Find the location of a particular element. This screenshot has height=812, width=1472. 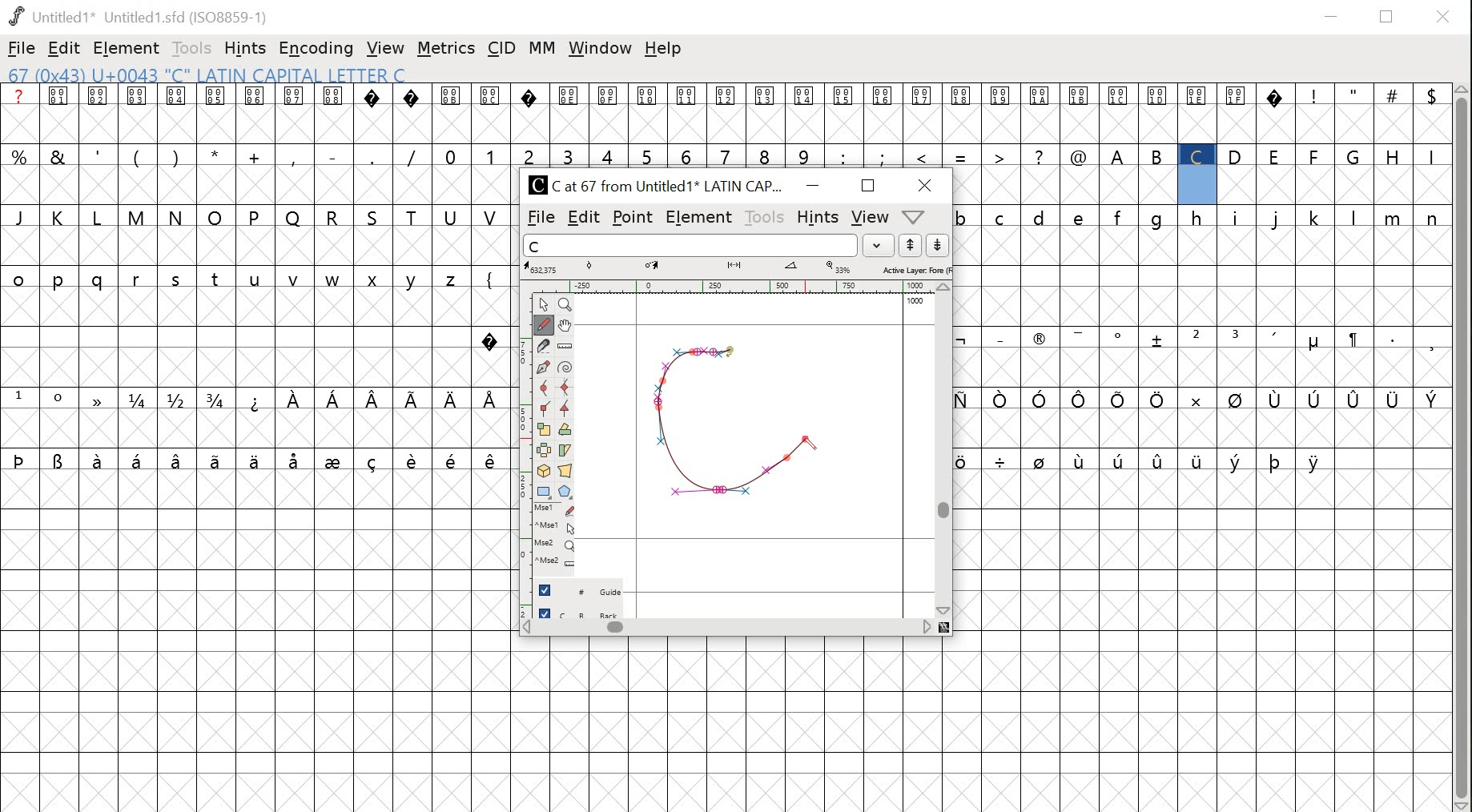

edit is located at coordinates (584, 218).